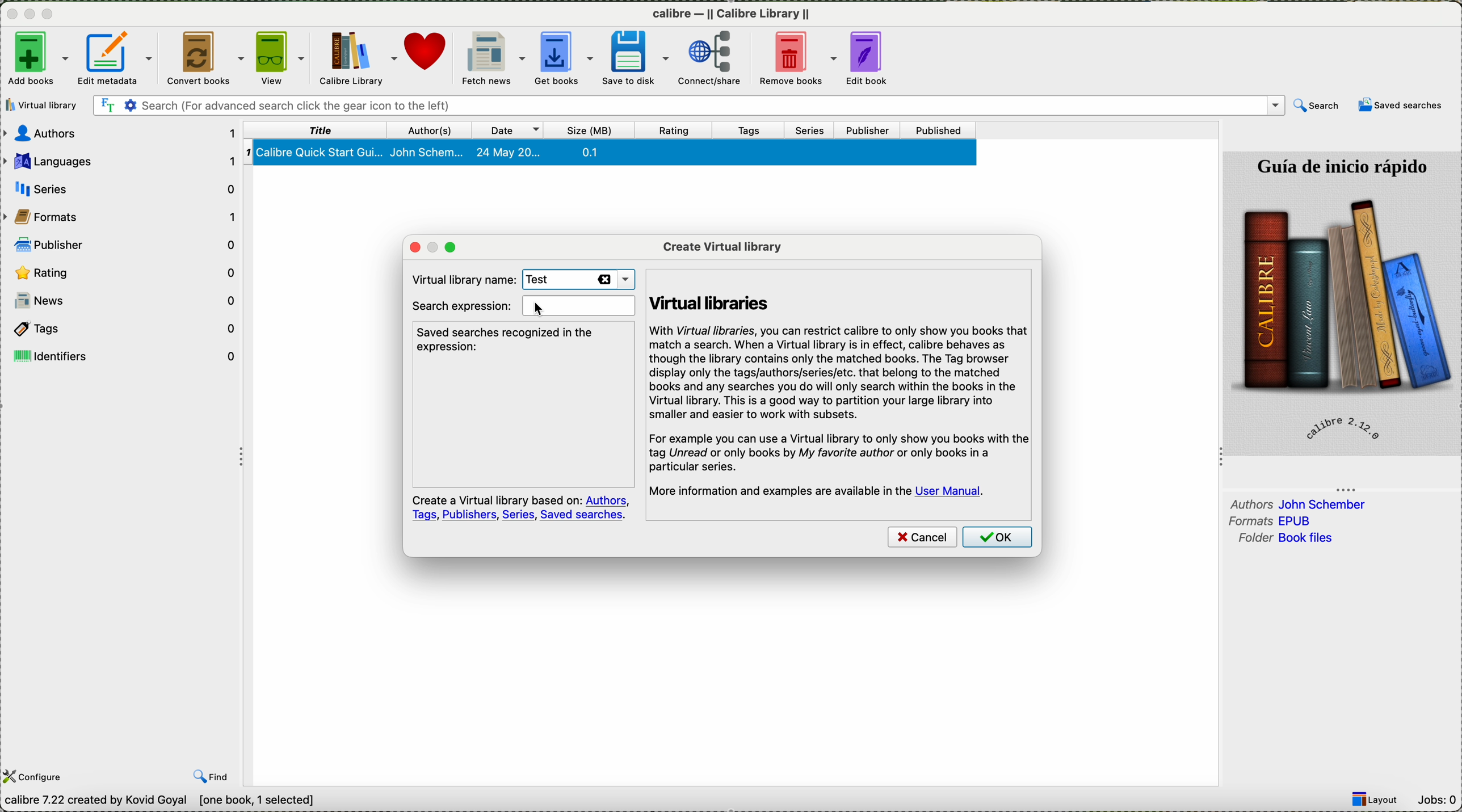 The image size is (1462, 812). I want to click on series, so click(815, 129).